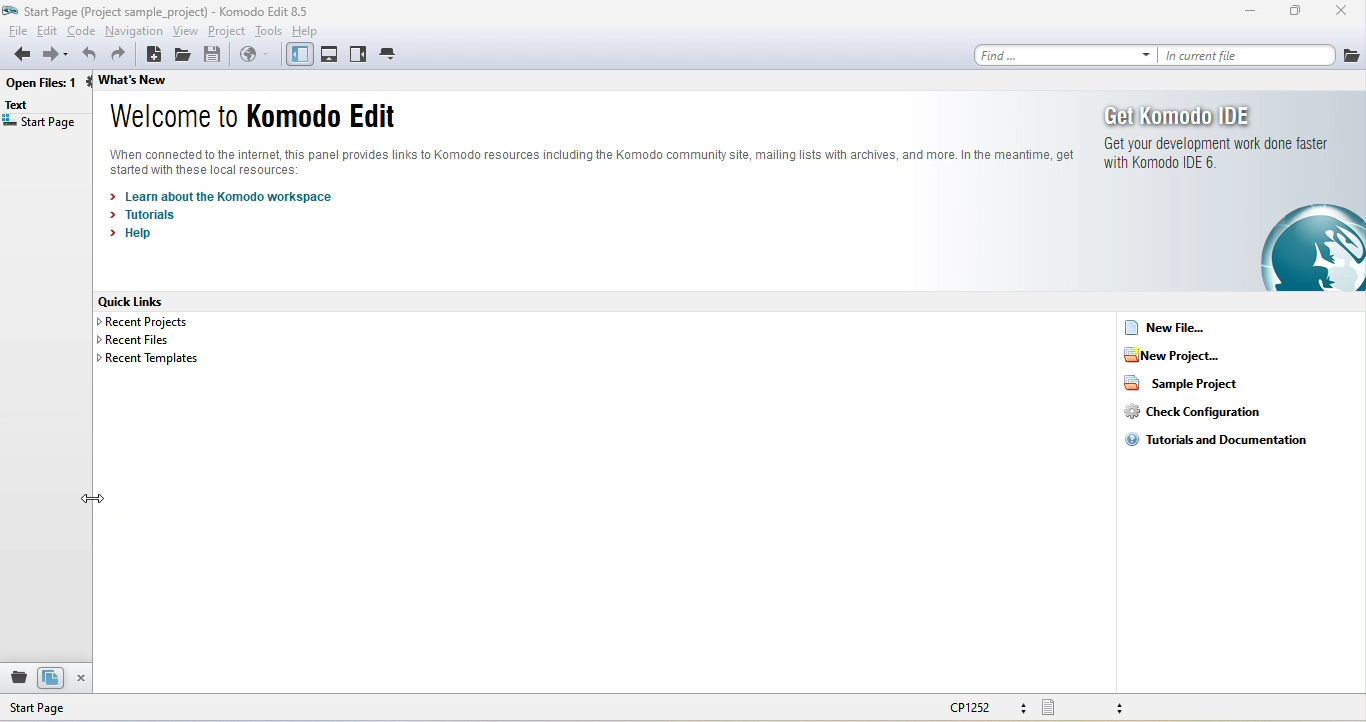 The height and width of the screenshot is (722, 1366). Describe the element at coordinates (310, 30) in the screenshot. I see `help` at that location.